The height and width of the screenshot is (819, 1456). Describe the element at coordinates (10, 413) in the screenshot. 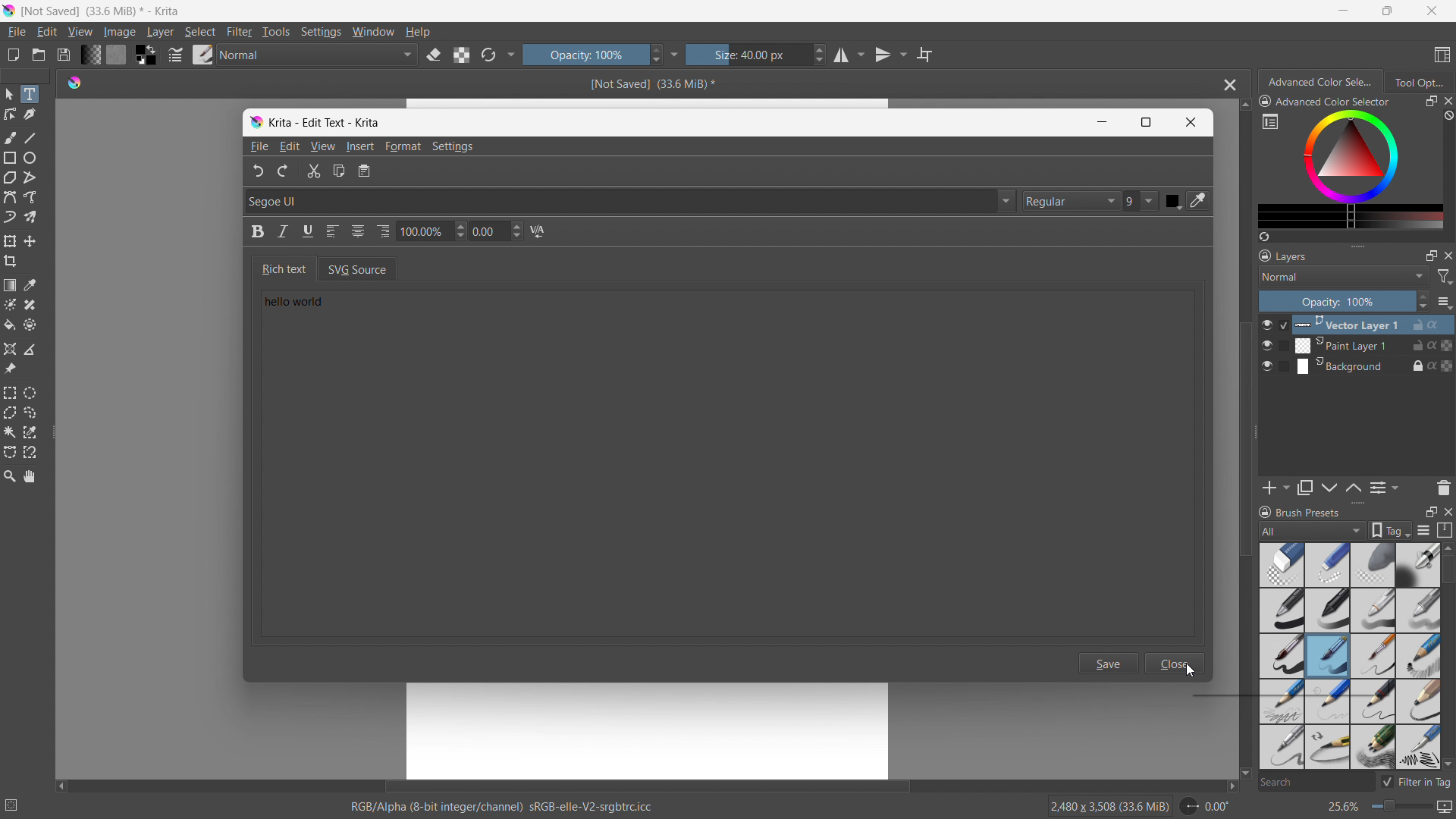

I see `polygonal selection tool` at that location.